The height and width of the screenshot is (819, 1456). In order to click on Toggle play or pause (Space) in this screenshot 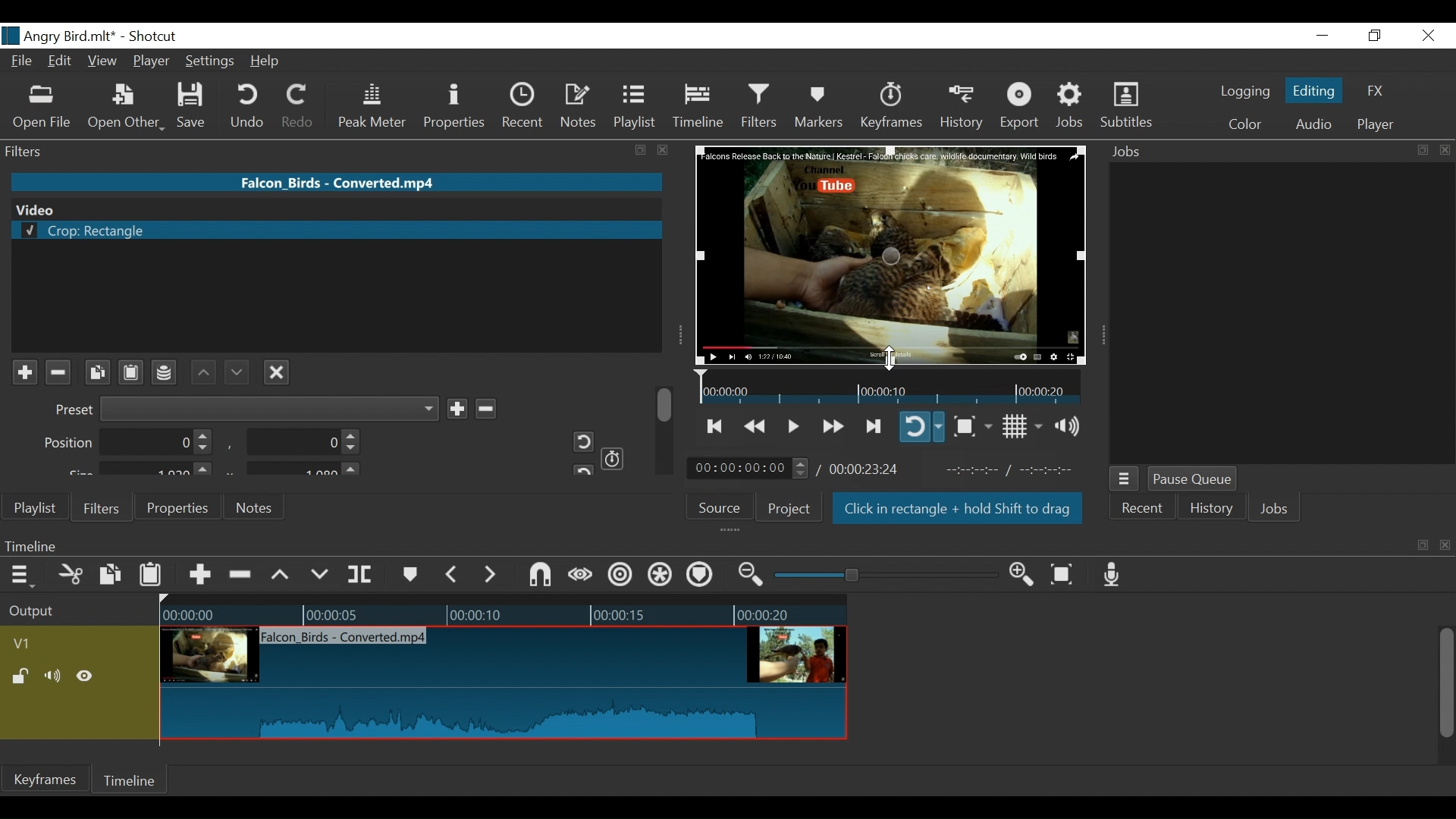, I will do `click(791, 428)`.